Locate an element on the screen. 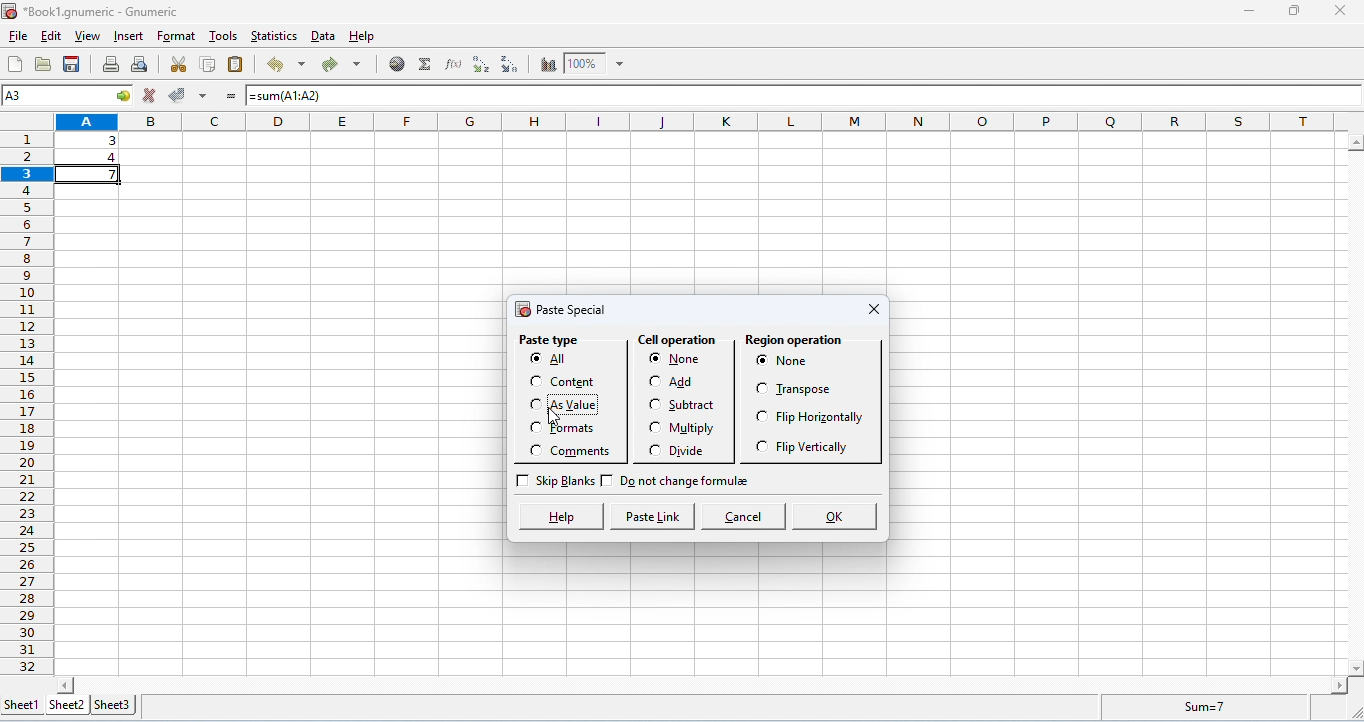 The height and width of the screenshot is (722, 1364). Checkbox is located at coordinates (533, 403).